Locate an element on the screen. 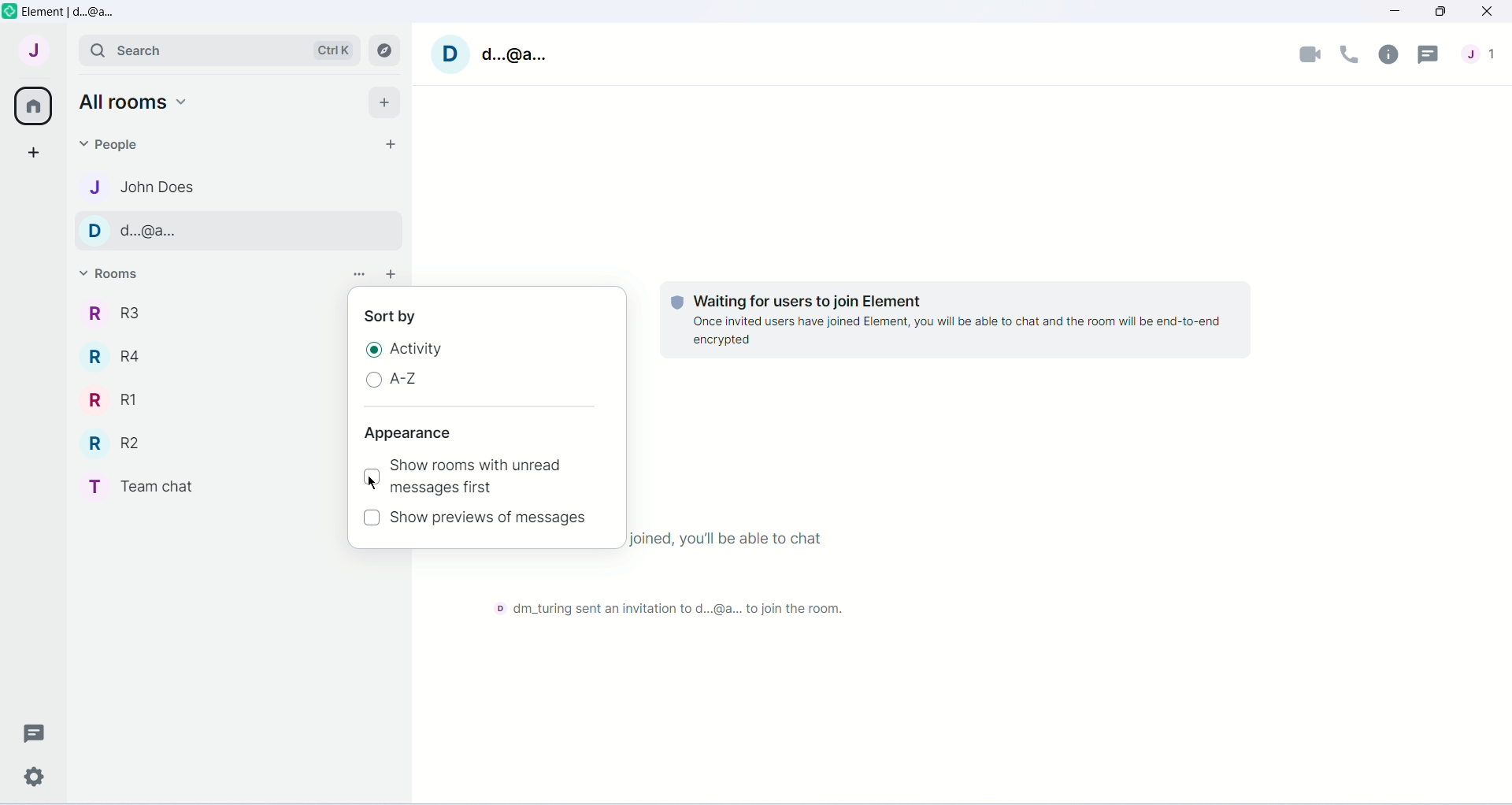  Activity is located at coordinates (417, 349).